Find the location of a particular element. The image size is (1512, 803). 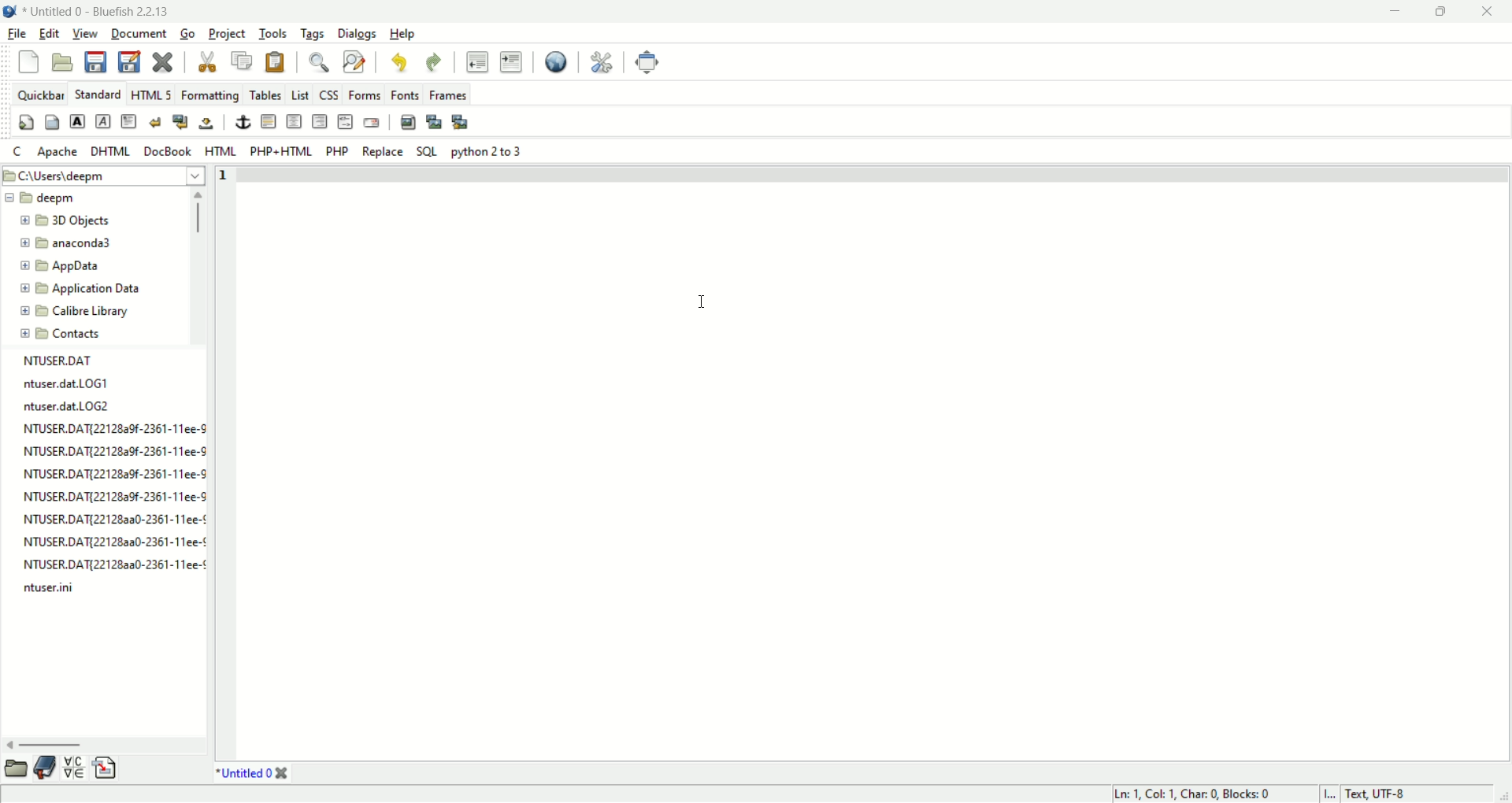

Ln: 1 Col 1 Char 0 Blocks: 0 is located at coordinates (1189, 793).